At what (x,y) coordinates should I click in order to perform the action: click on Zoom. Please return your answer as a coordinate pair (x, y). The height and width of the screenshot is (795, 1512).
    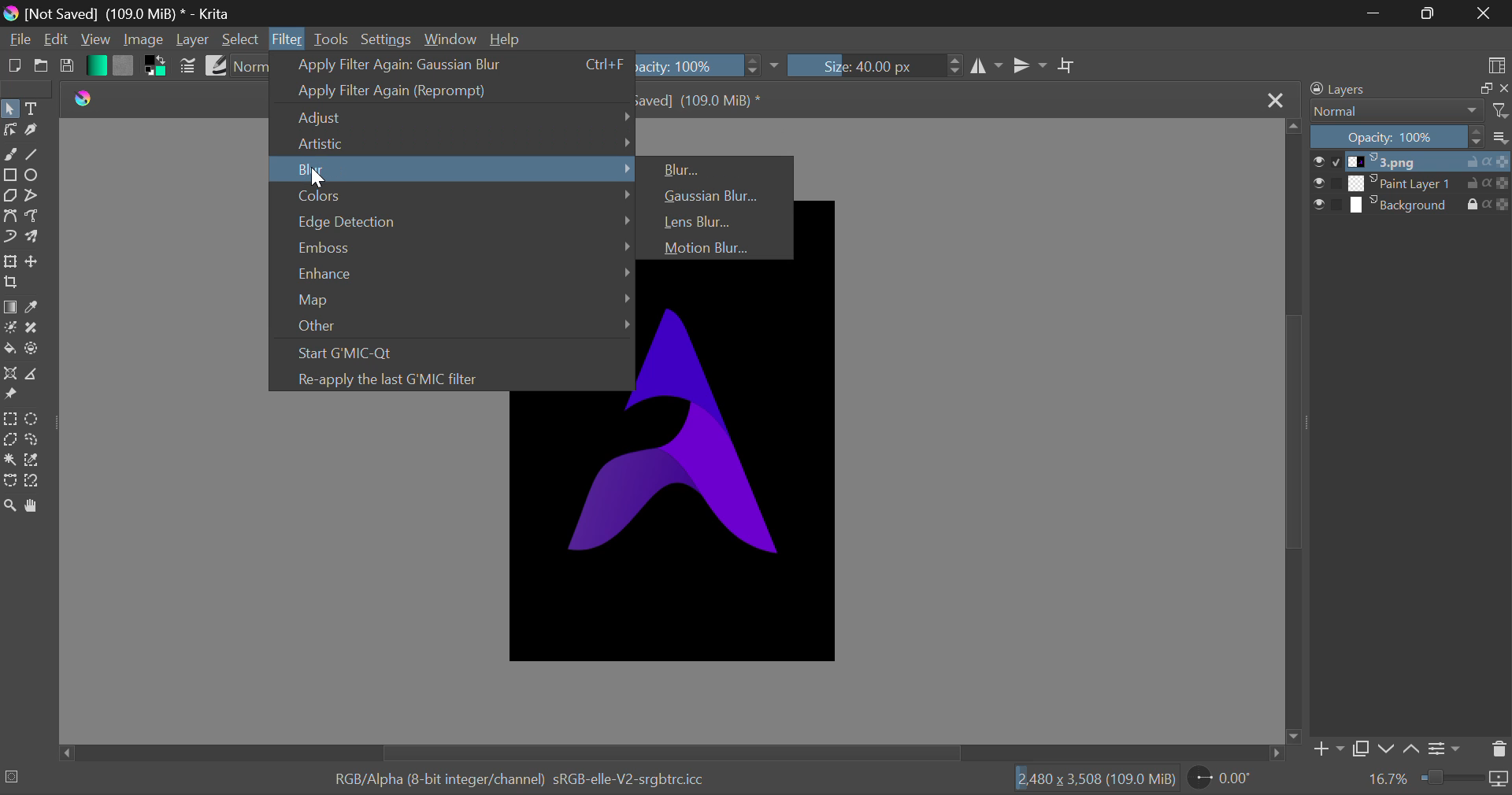
    Looking at the image, I should click on (13, 508).